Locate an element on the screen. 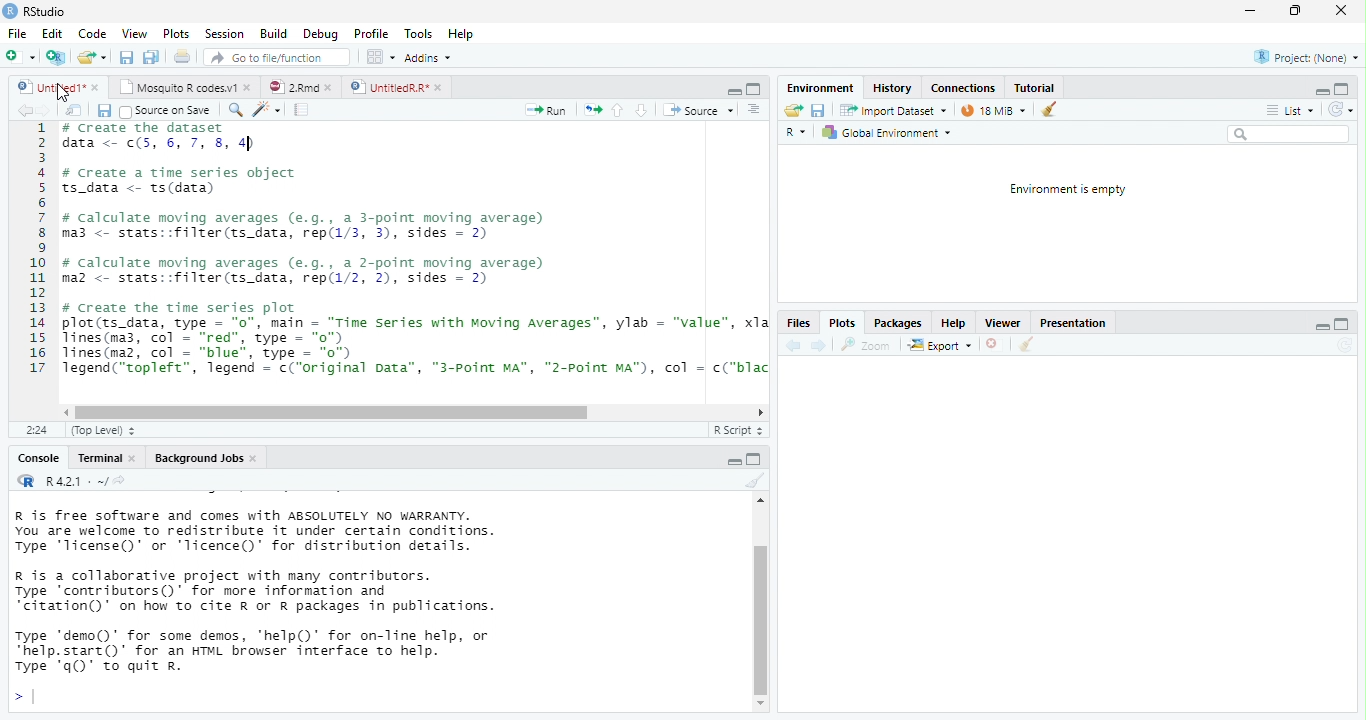  horizontal scrollbar is located at coordinates (332, 412).